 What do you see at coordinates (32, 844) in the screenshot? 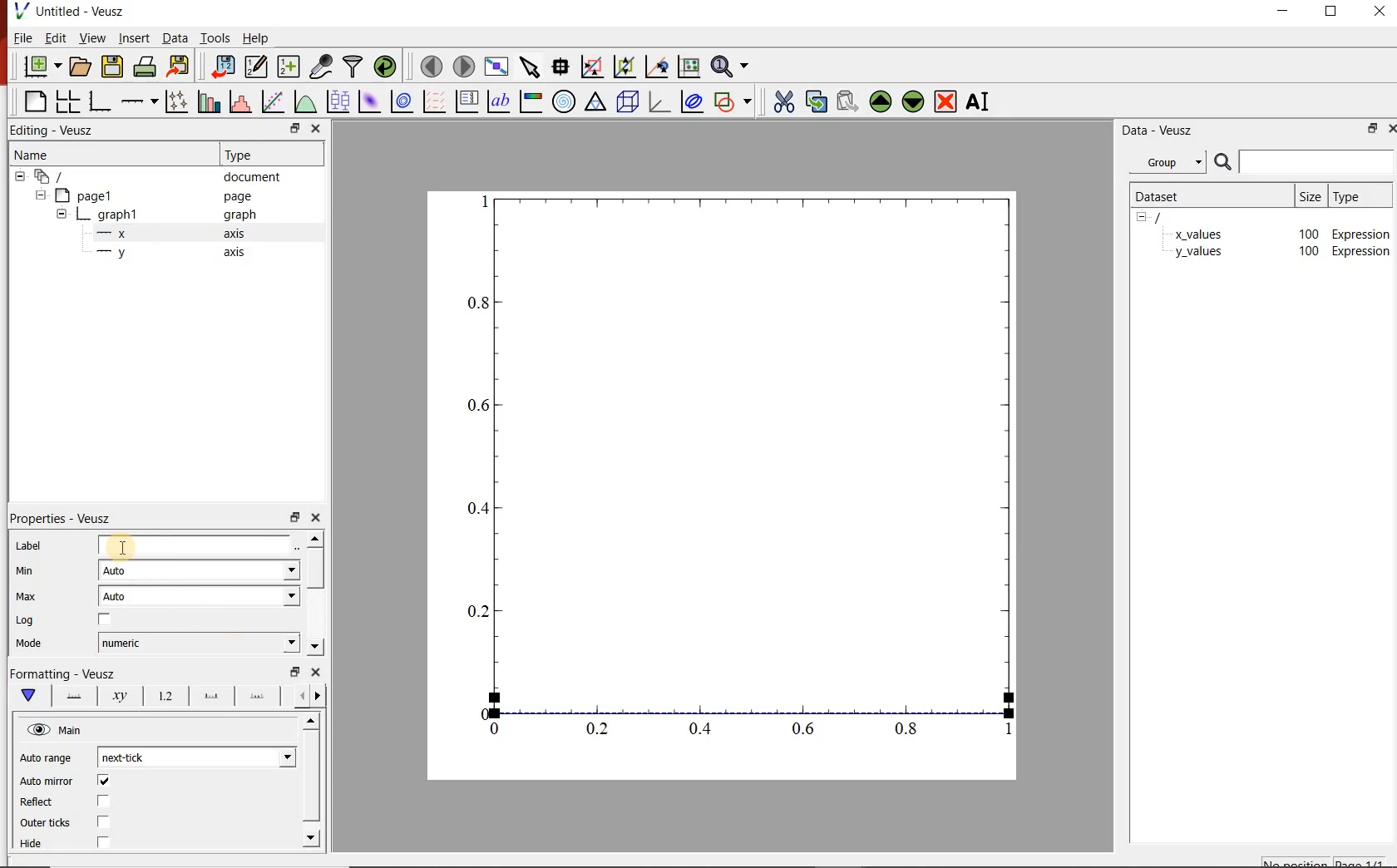
I see `Hide` at bounding box center [32, 844].